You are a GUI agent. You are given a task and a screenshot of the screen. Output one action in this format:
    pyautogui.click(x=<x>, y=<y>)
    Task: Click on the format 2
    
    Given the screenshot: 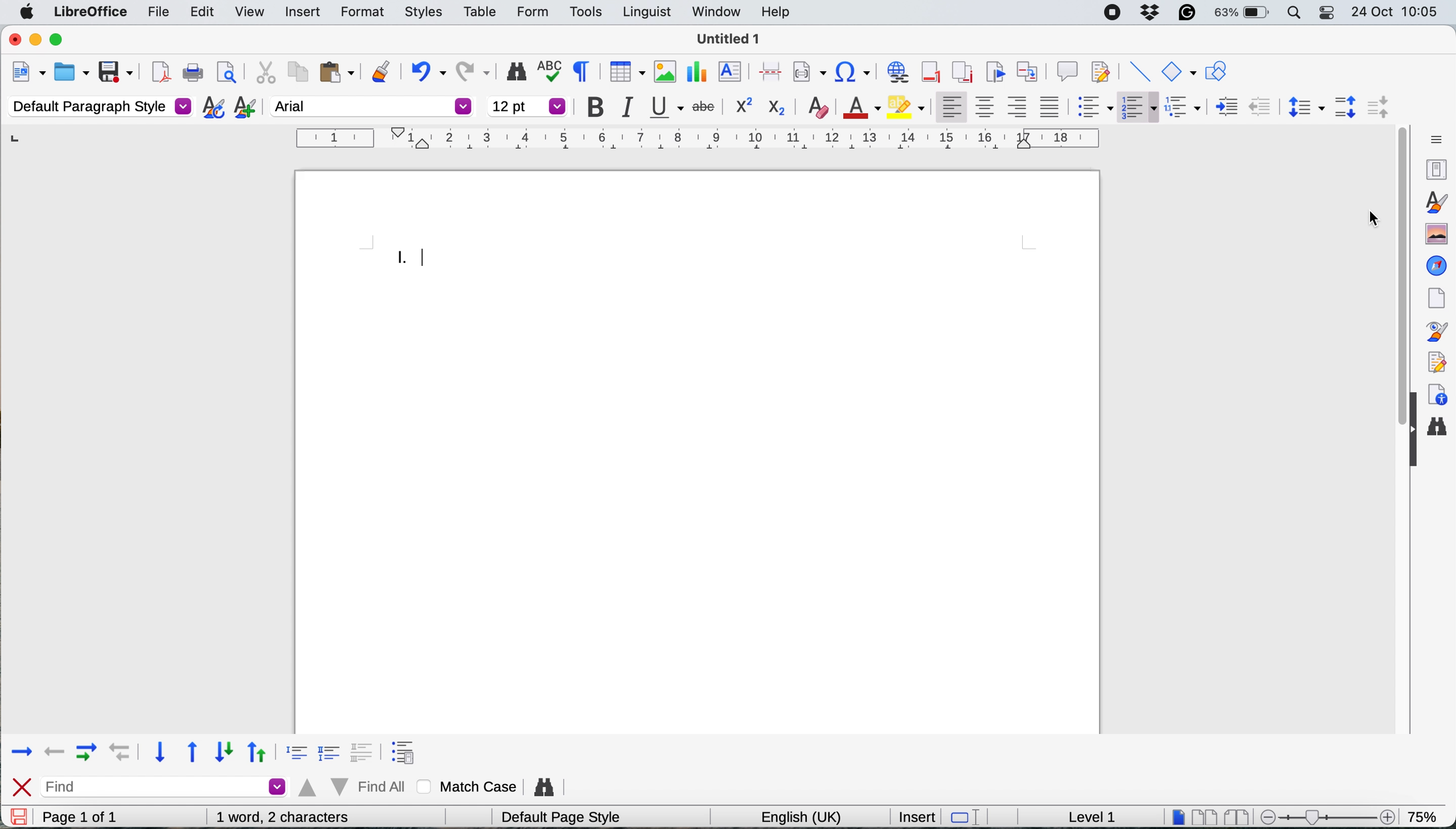 What is the action you would take?
    pyautogui.click(x=331, y=750)
    